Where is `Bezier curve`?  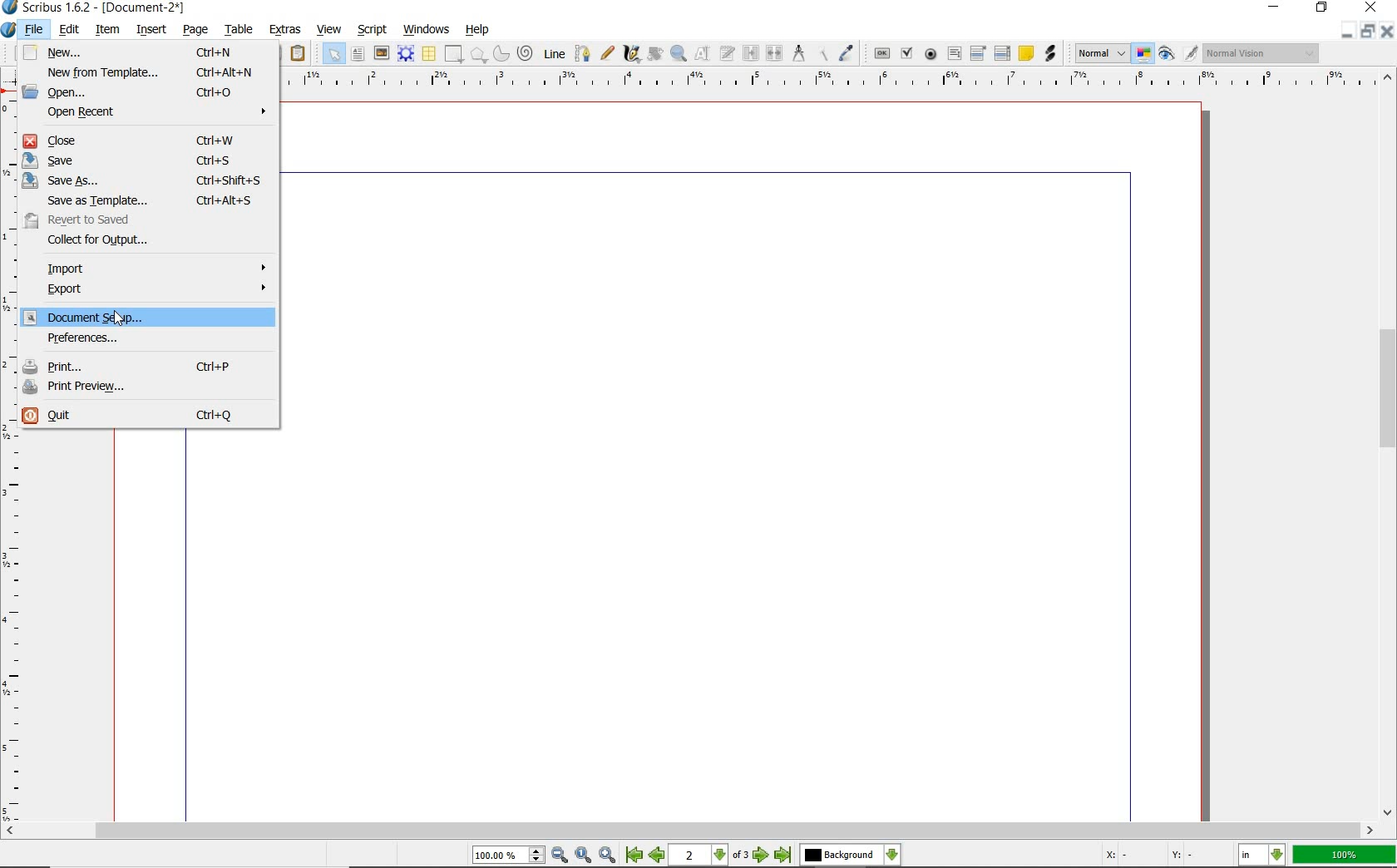 Bezier curve is located at coordinates (583, 53).